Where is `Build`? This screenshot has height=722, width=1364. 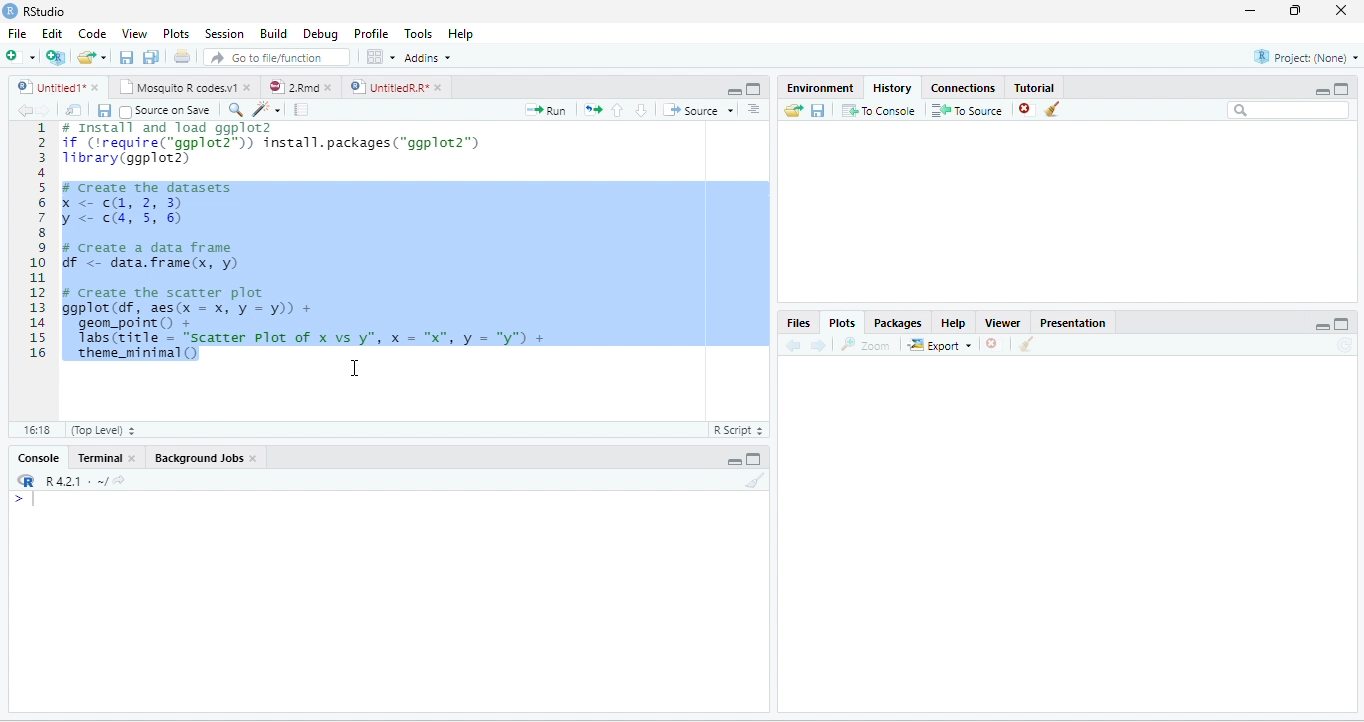 Build is located at coordinates (272, 32).